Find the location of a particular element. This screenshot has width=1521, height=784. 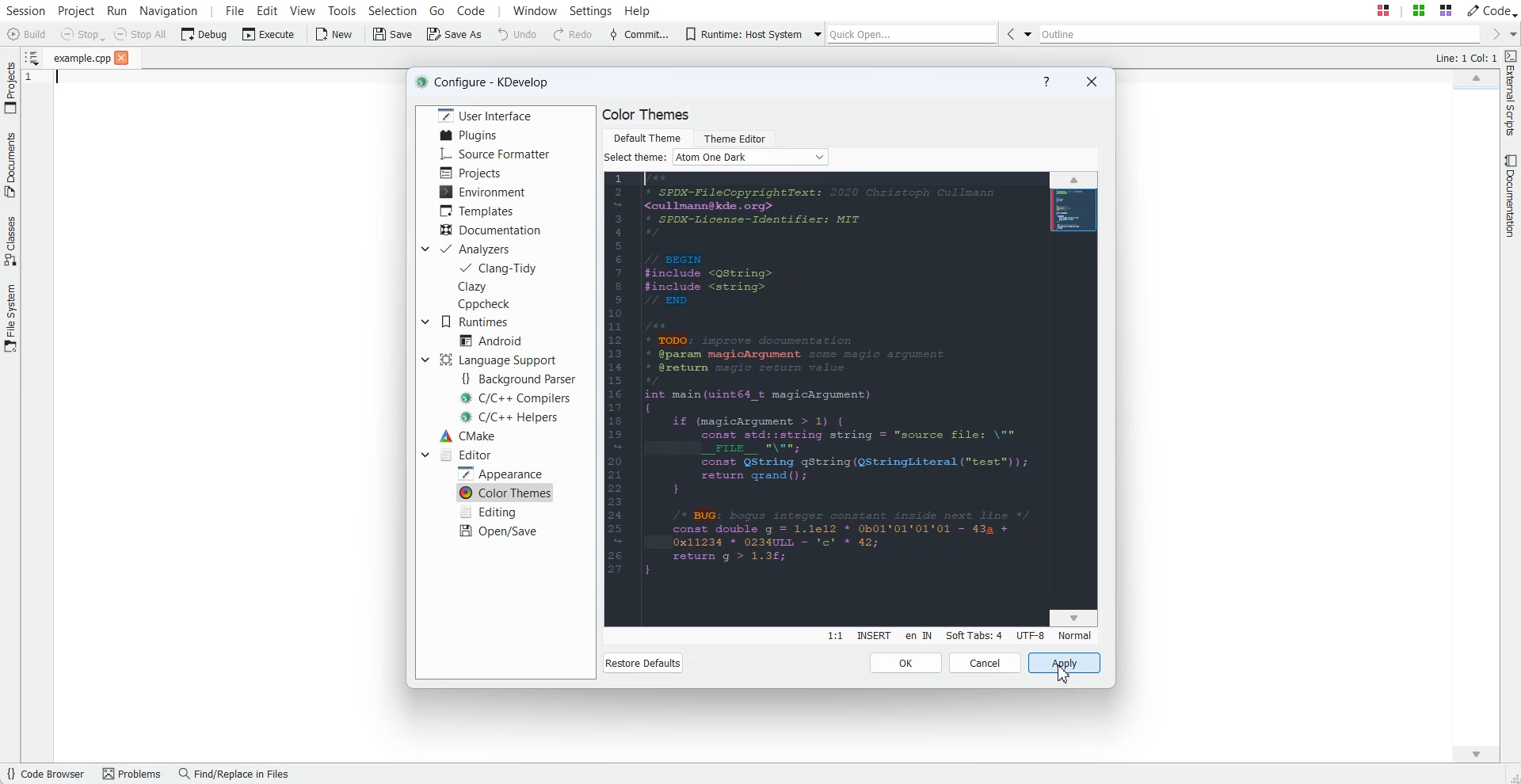

Clang-Tidy is located at coordinates (499, 268).